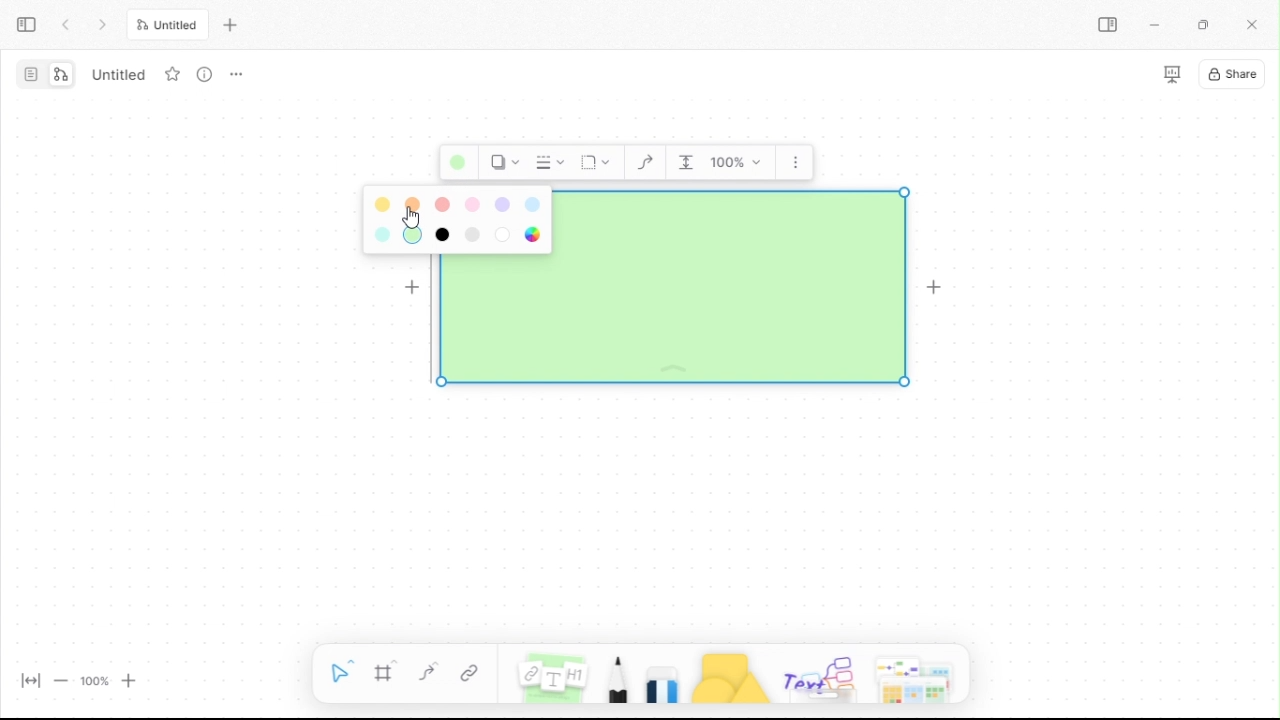  Describe the element at coordinates (455, 221) in the screenshot. I see `Colour palette` at that location.